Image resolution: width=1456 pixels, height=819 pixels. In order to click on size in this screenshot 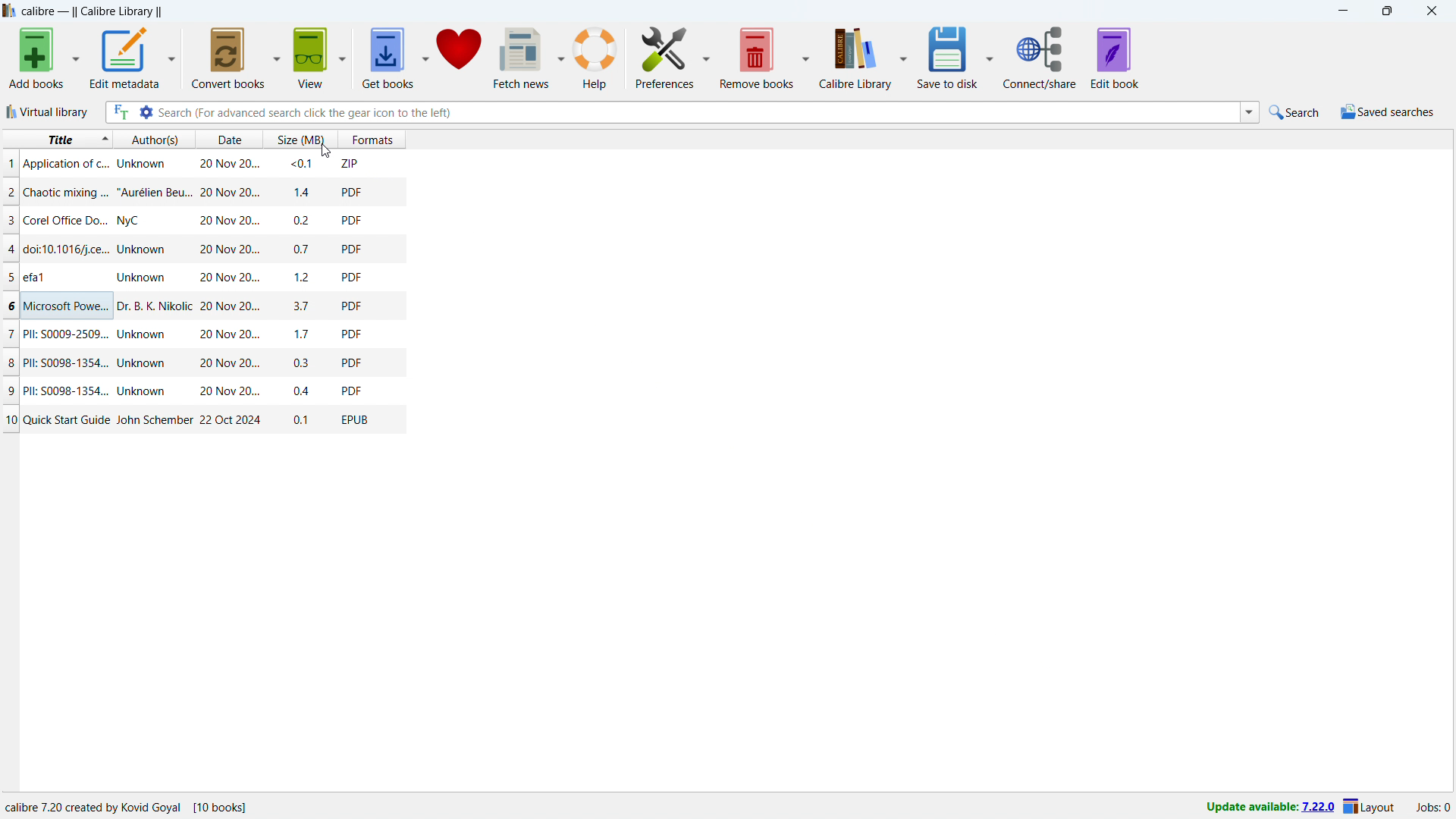, I will do `click(303, 248)`.